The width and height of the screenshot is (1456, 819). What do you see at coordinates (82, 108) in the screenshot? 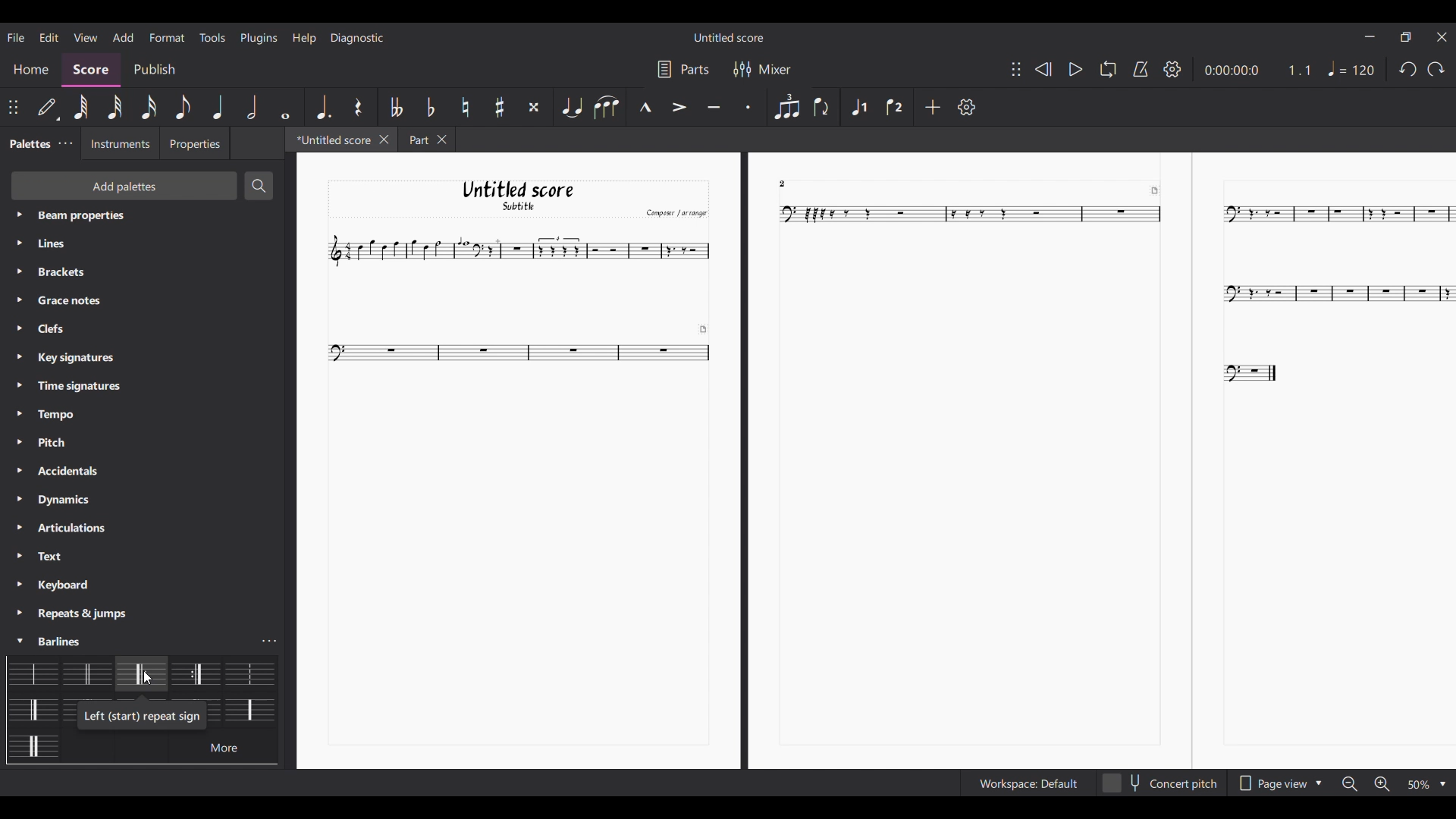
I see `64th note` at bounding box center [82, 108].